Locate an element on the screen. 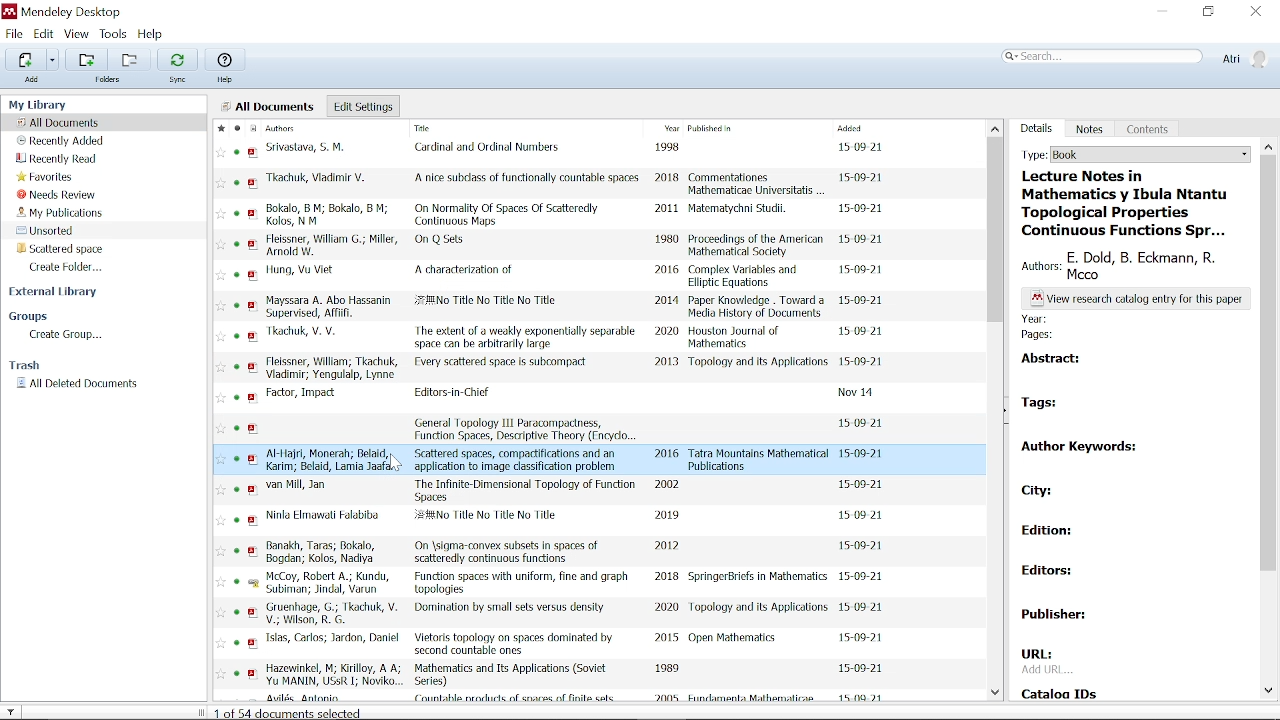 This screenshot has width=1280, height=720. Vertical scrollbar for all files is located at coordinates (997, 229).